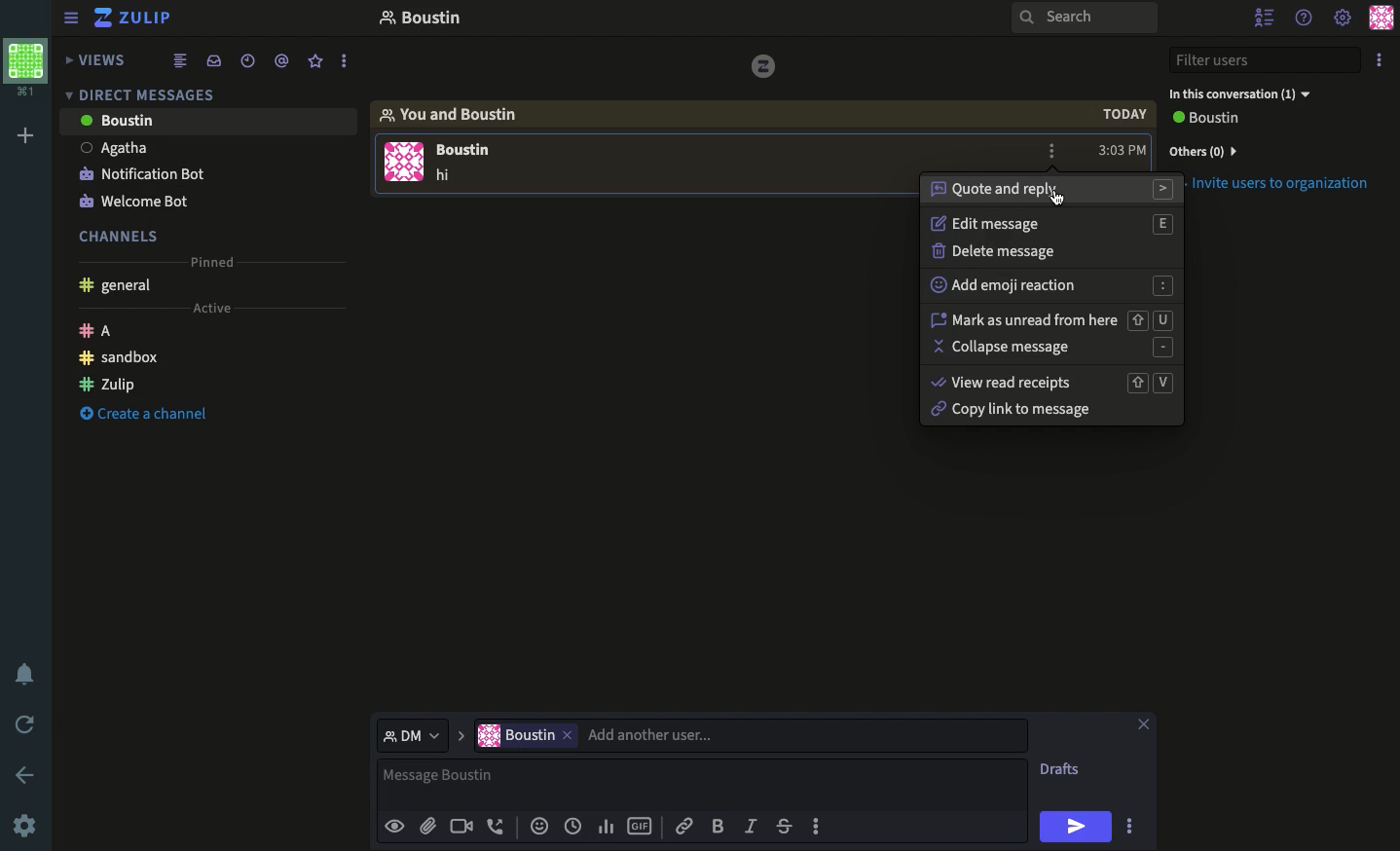  I want to click on Create channel, so click(145, 416).